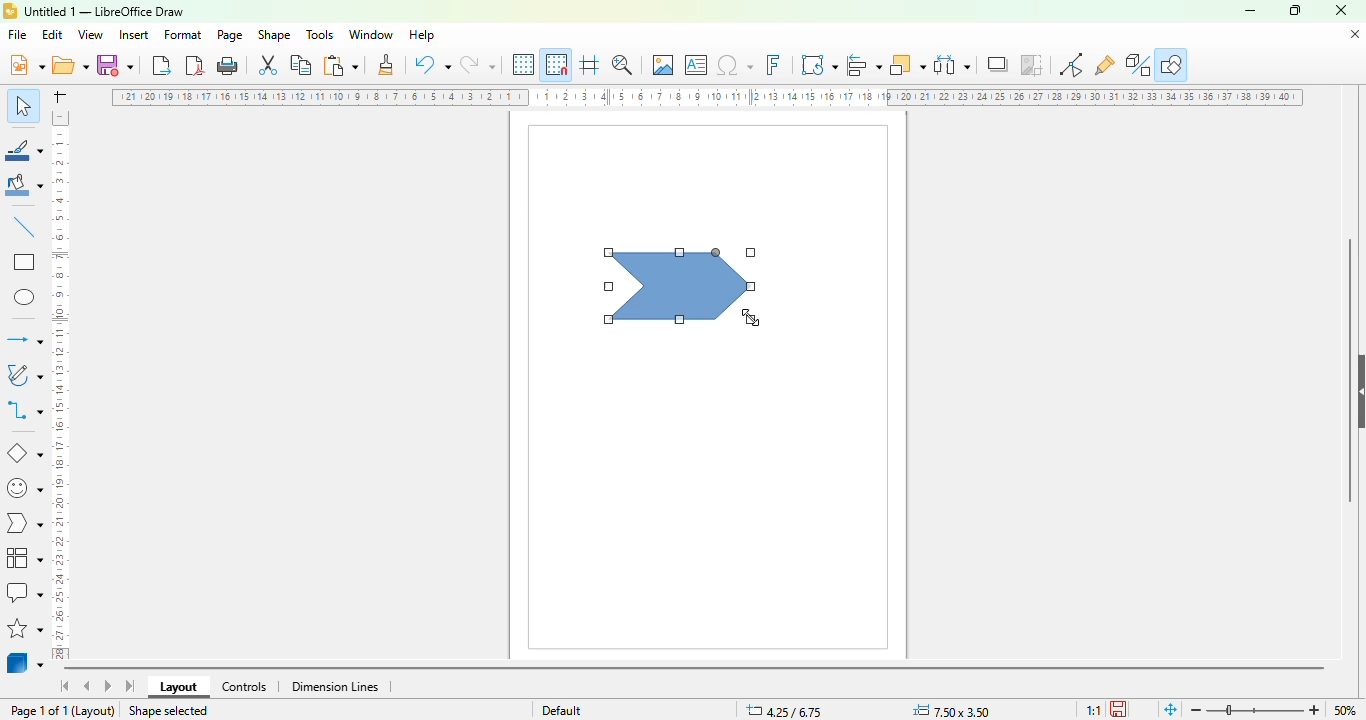 The image size is (1366, 720). What do you see at coordinates (38, 711) in the screenshot?
I see `page 1 of 1` at bounding box center [38, 711].